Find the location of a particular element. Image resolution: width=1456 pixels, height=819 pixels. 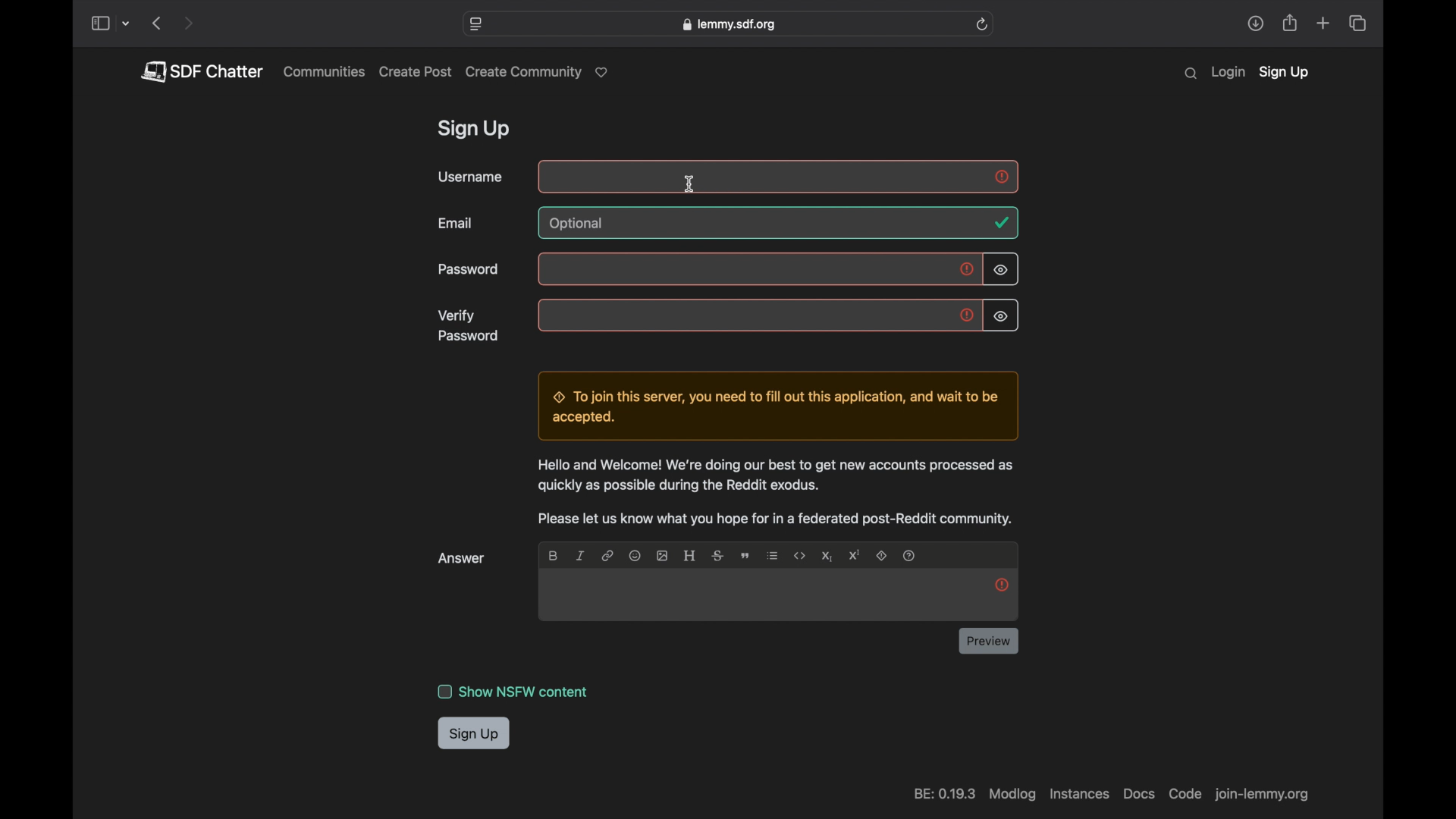

docs is located at coordinates (1138, 794).